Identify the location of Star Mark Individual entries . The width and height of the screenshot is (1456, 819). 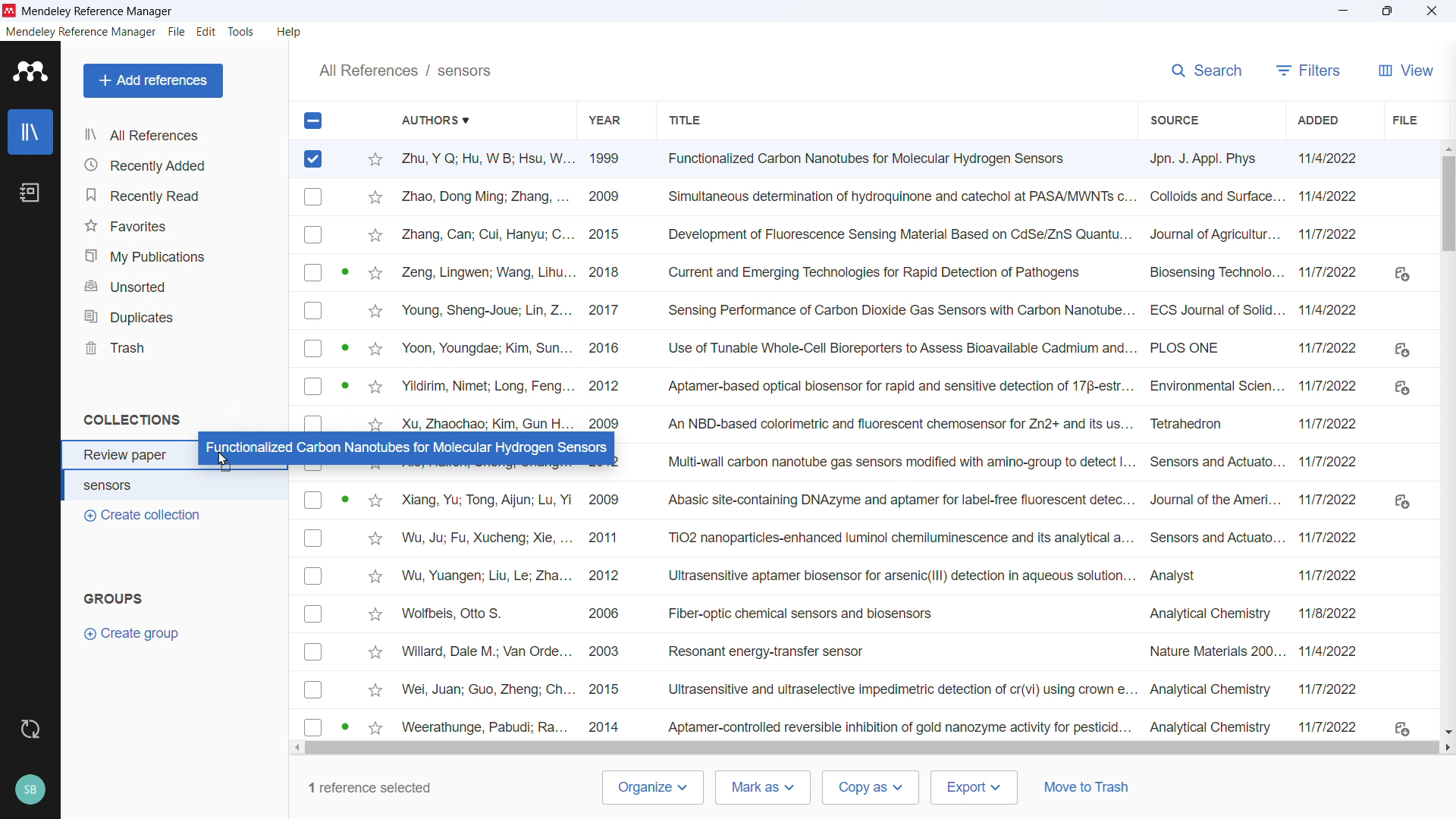
(373, 288).